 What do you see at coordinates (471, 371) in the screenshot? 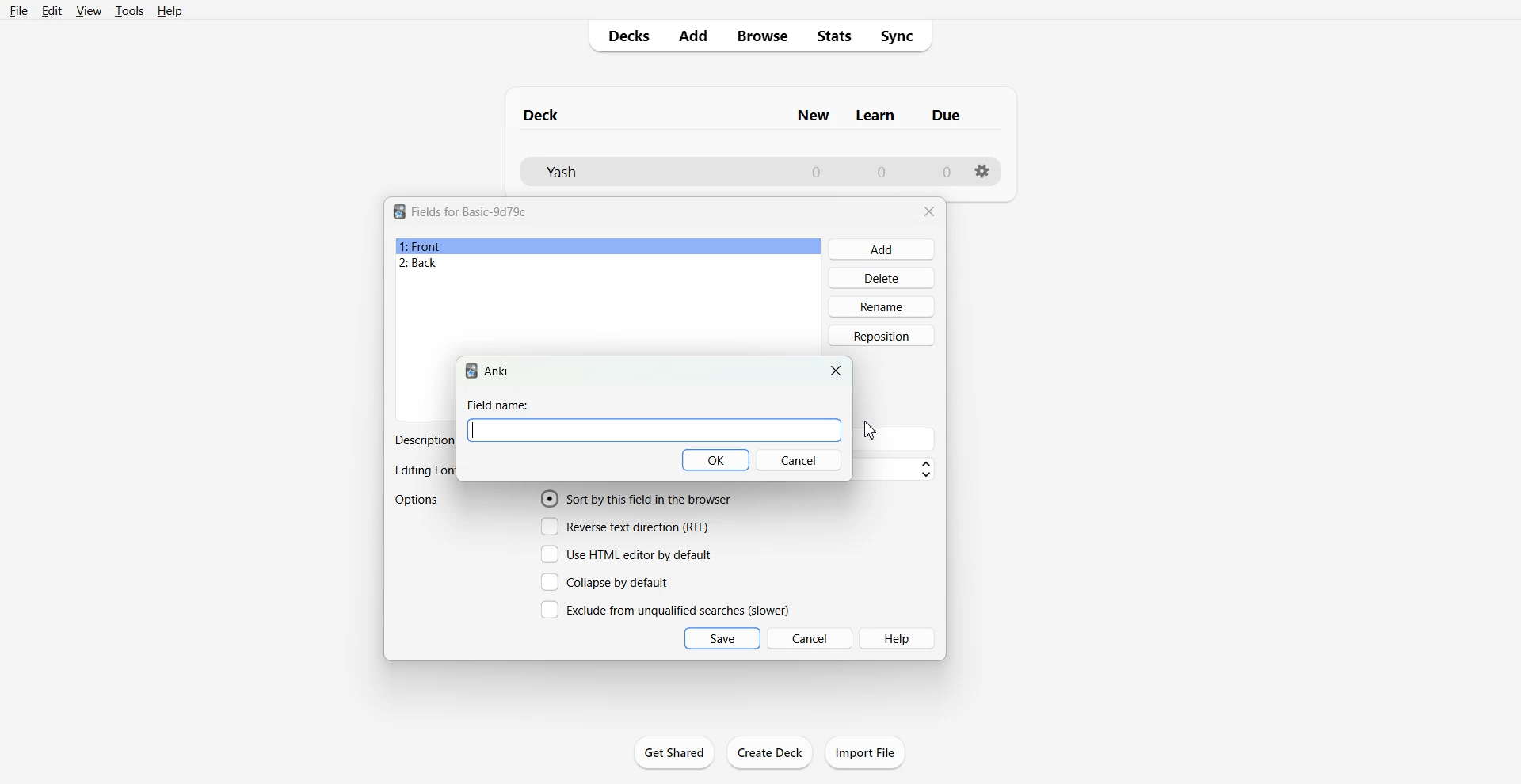
I see `Software logo` at bounding box center [471, 371].